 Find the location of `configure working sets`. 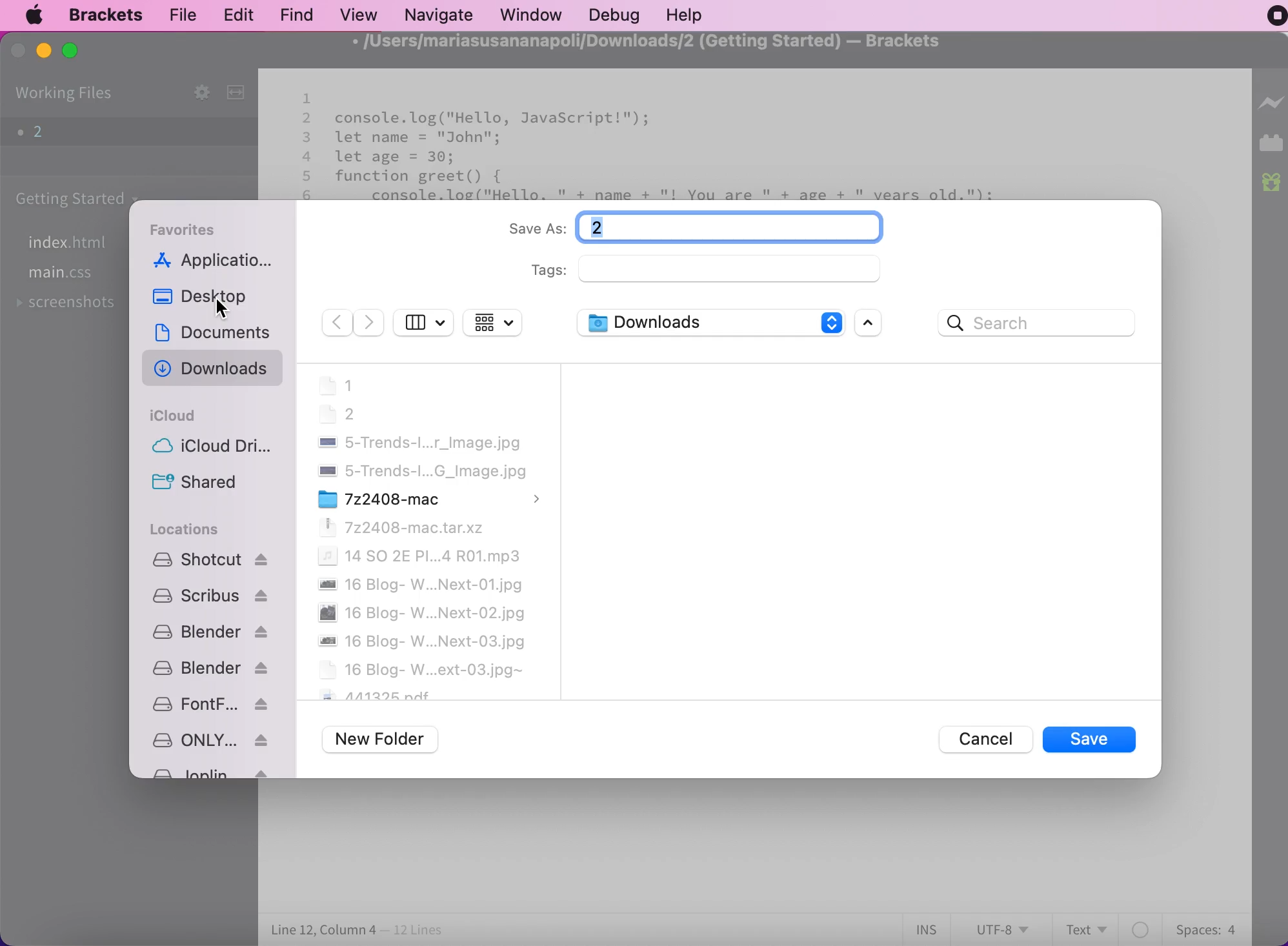

configure working sets is located at coordinates (190, 92).